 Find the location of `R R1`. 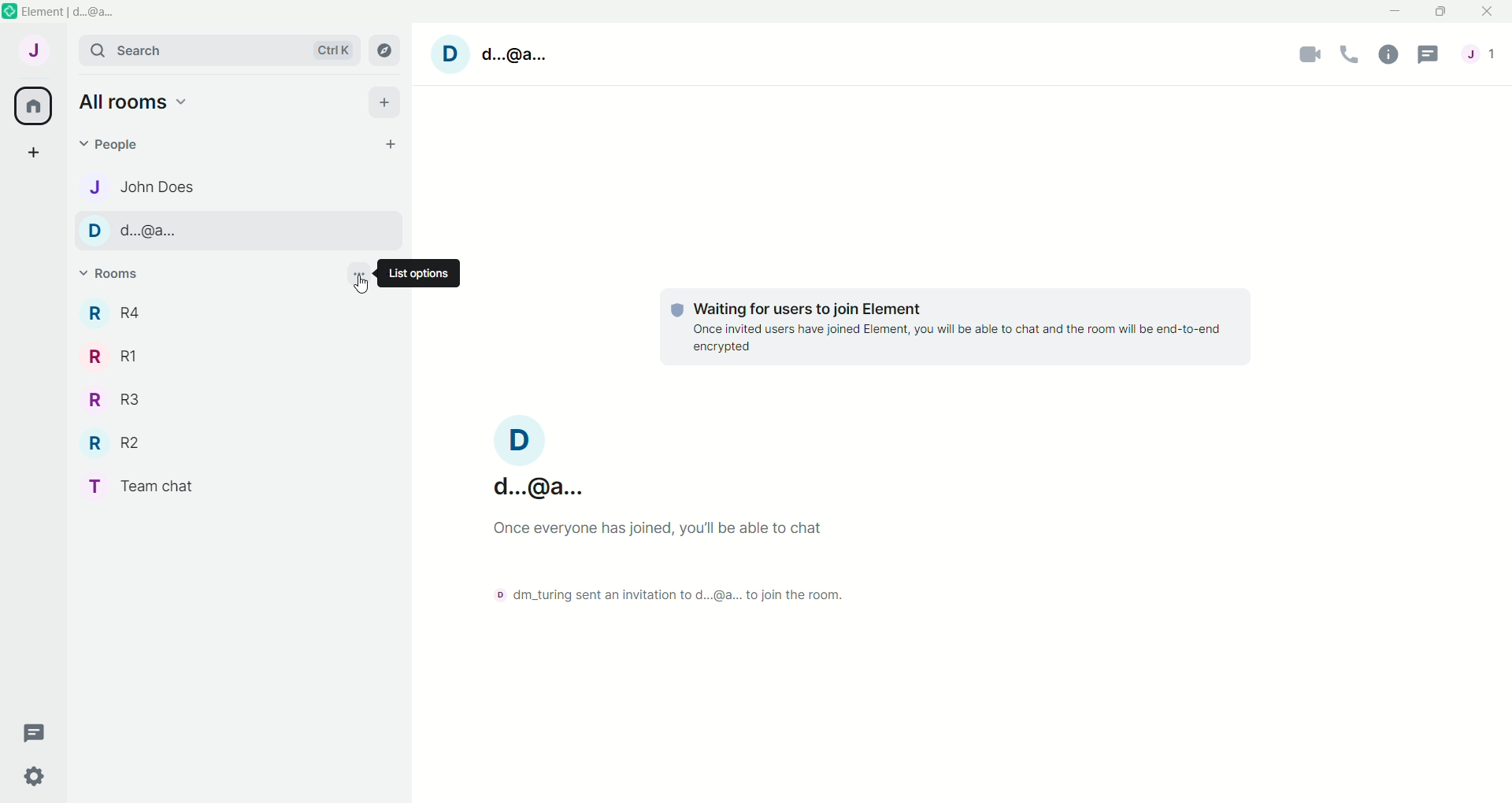

R R1 is located at coordinates (129, 355).